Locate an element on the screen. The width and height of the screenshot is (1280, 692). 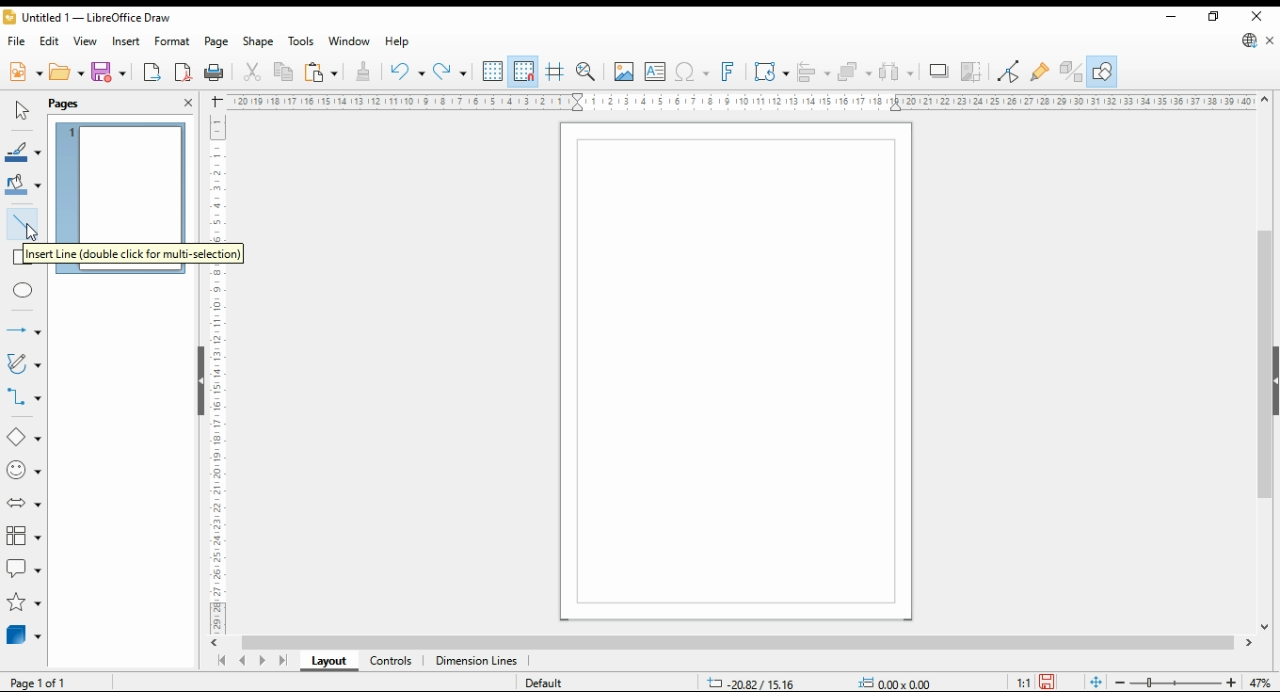
minimize is located at coordinates (1171, 17).